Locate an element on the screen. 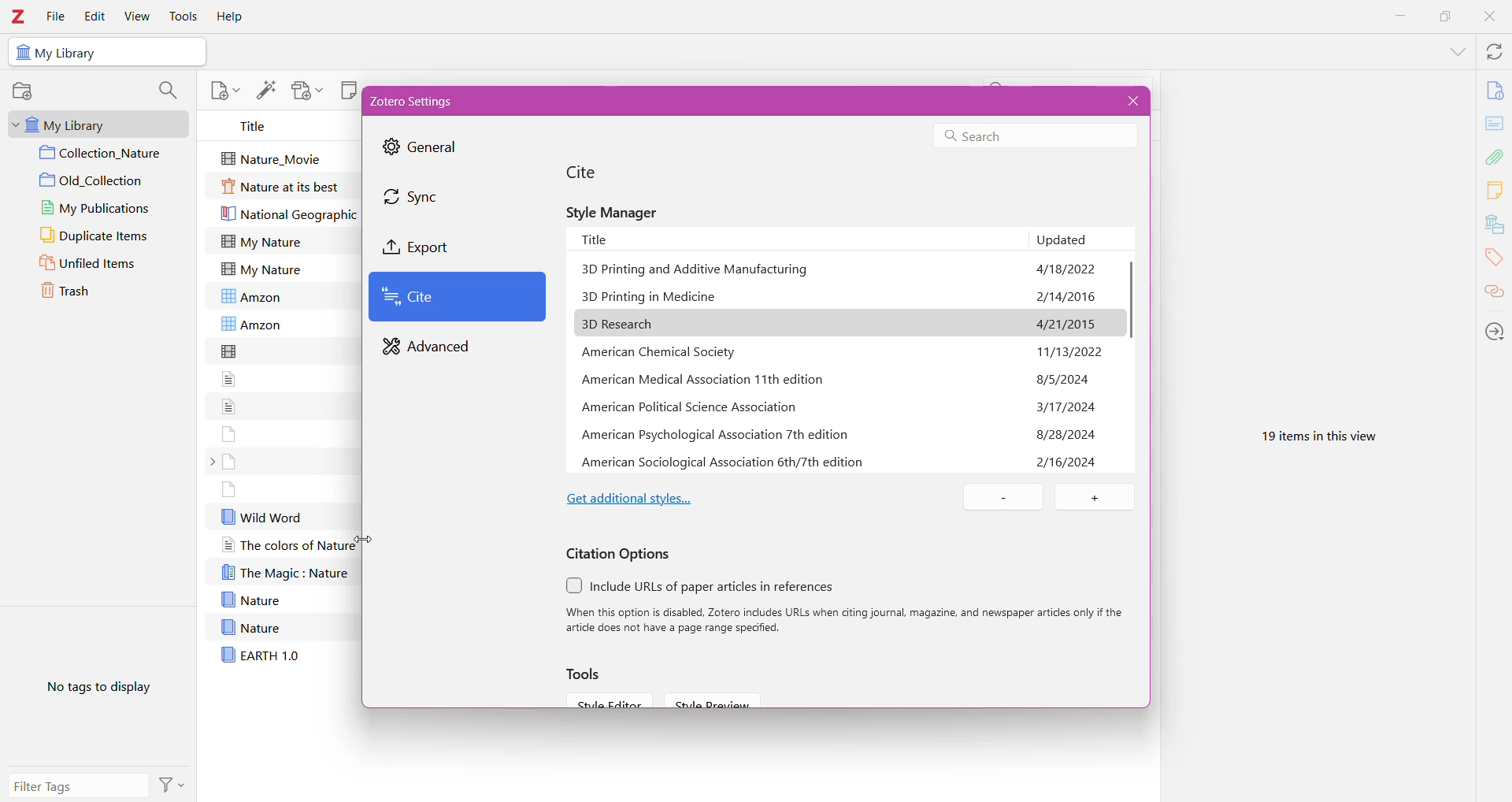  Get additional styles is located at coordinates (631, 496).